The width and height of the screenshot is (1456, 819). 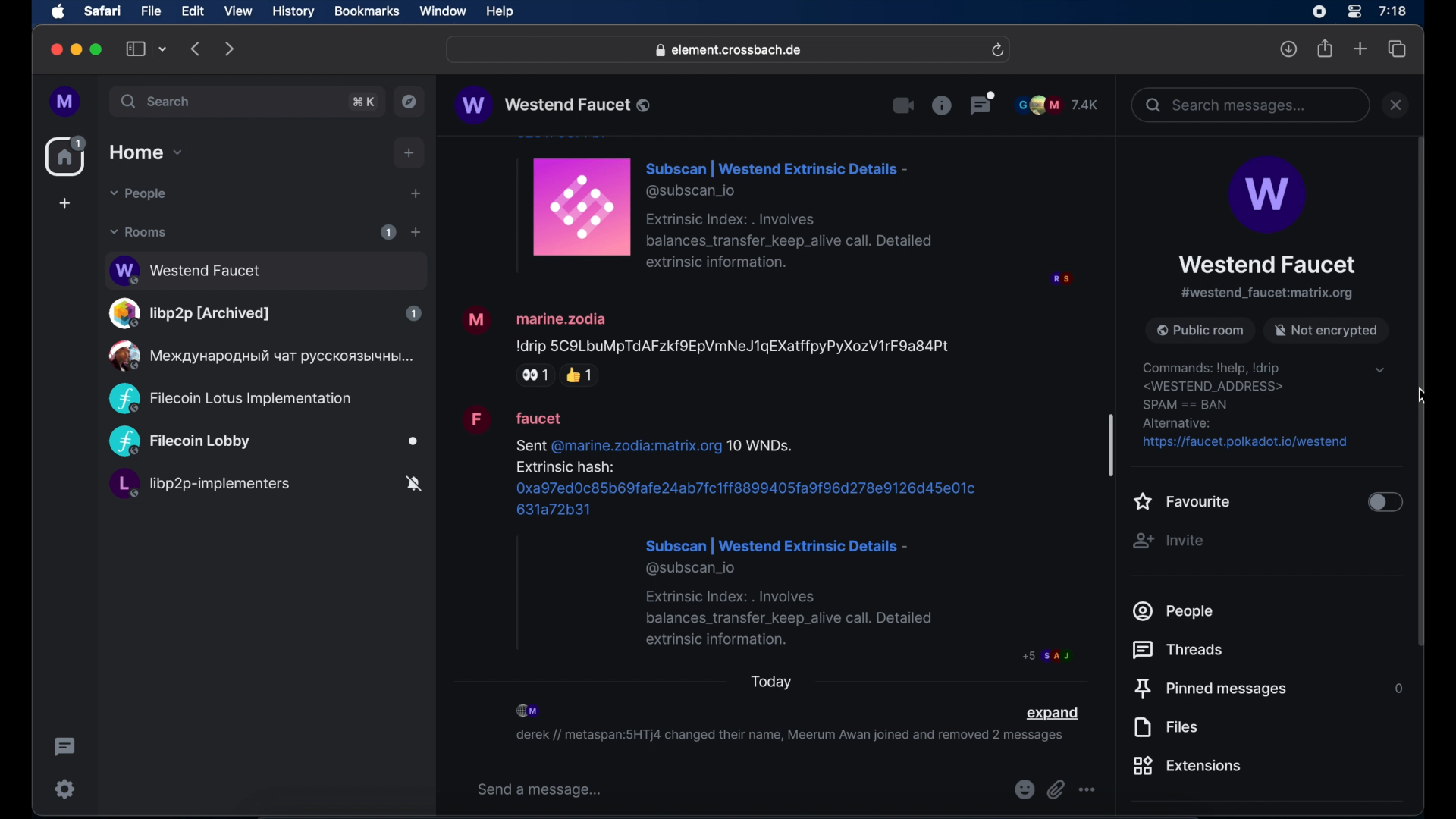 What do you see at coordinates (1267, 265) in the screenshot?
I see `public room name` at bounding box center [1267, 265].